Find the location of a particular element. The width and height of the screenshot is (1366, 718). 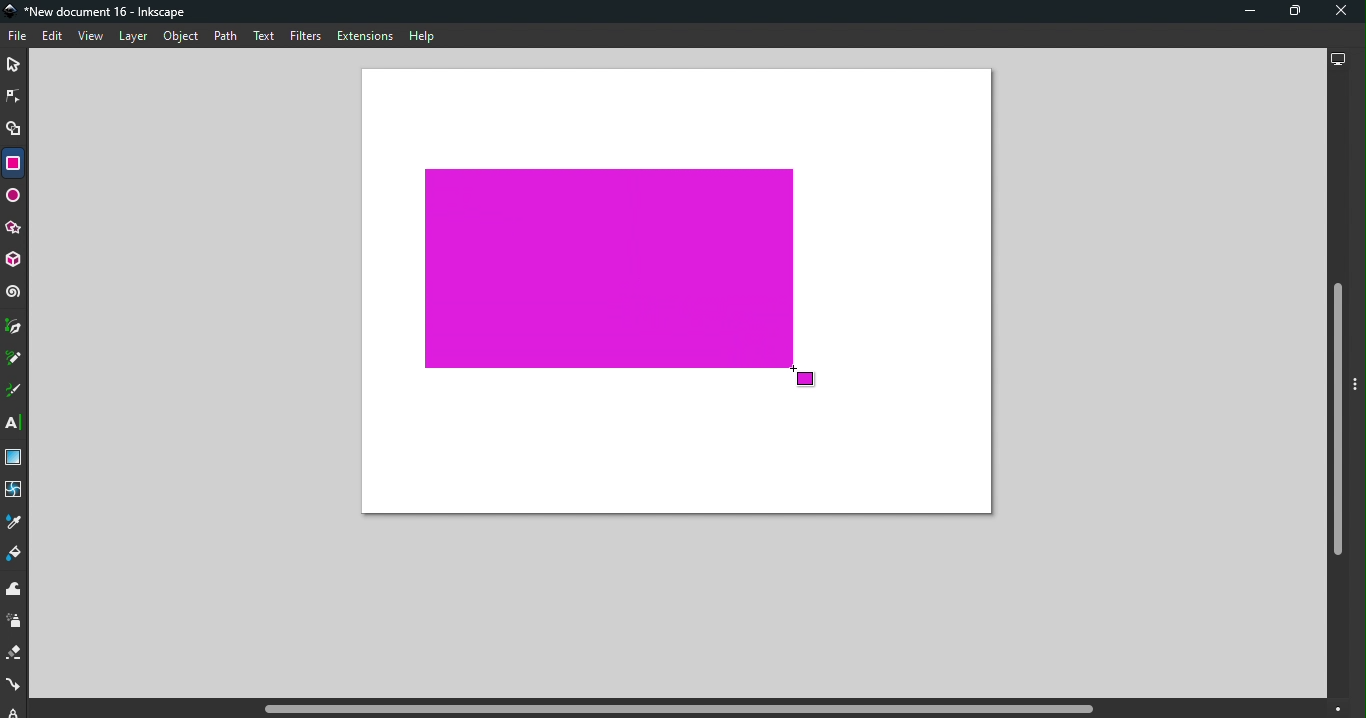

View is located at coordinates (89, 36).